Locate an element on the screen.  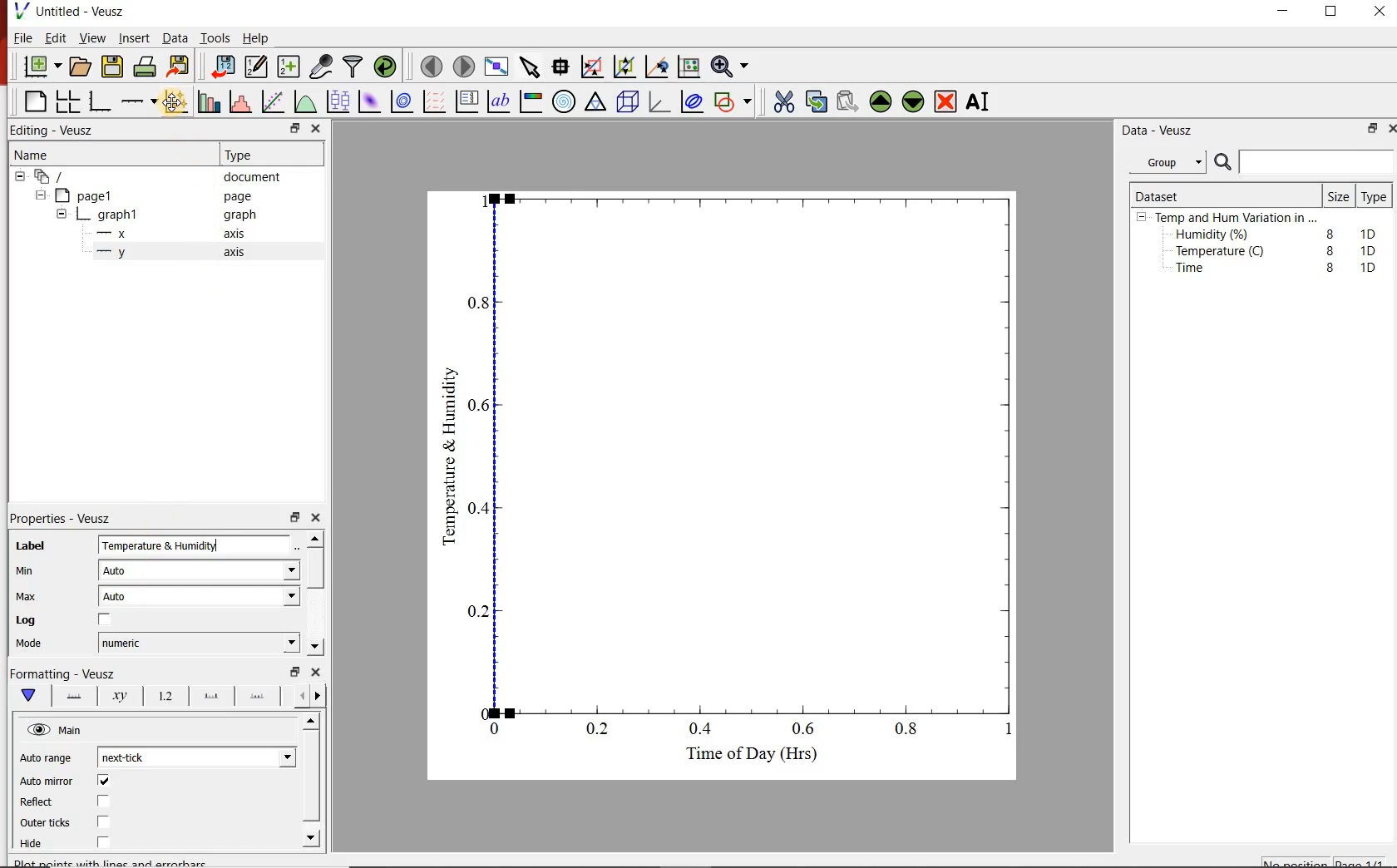
1 is located at coordinates (481, 200).